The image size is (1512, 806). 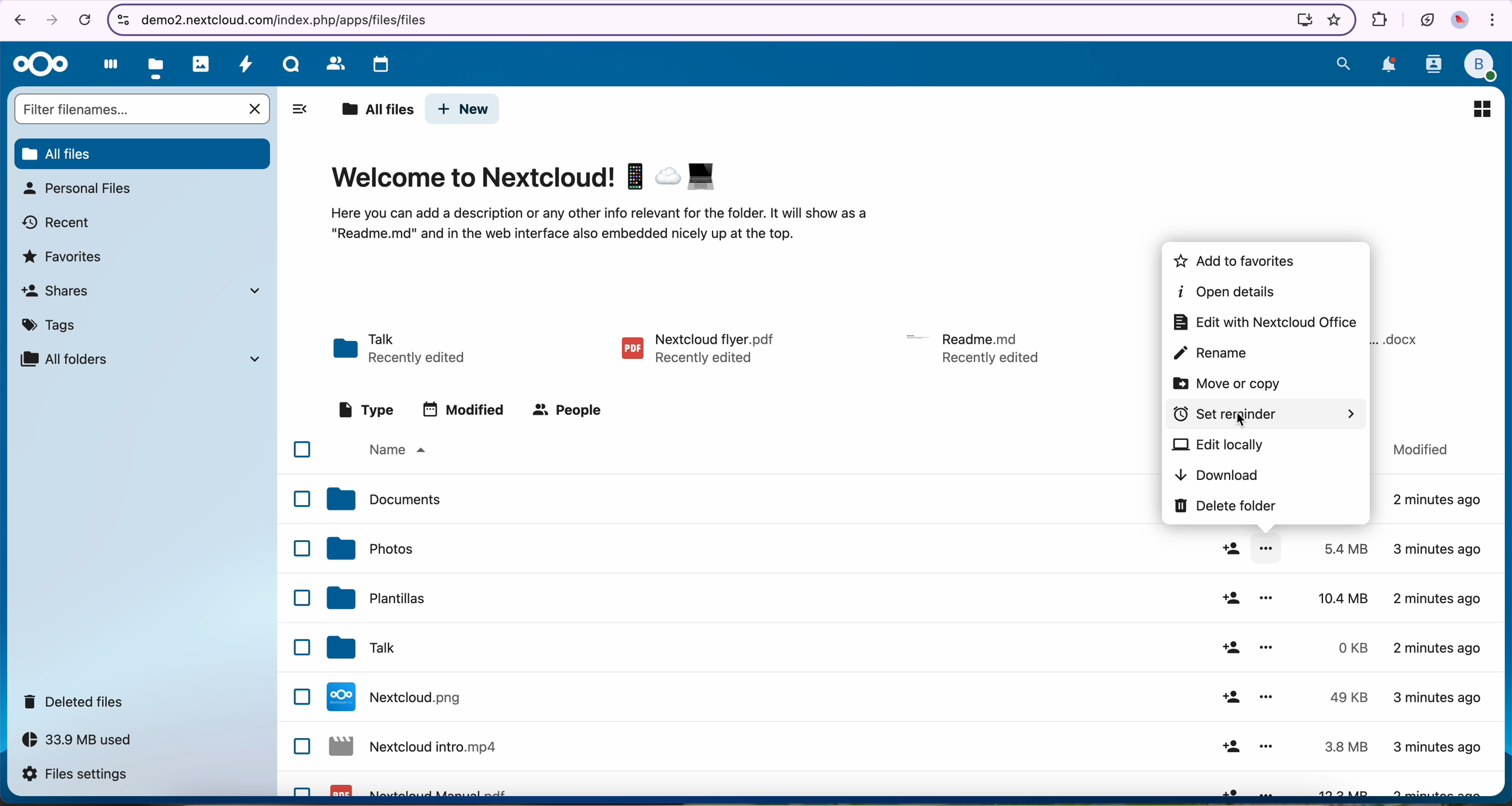 I want to click on delete folder, so click(x=1226, y=506).